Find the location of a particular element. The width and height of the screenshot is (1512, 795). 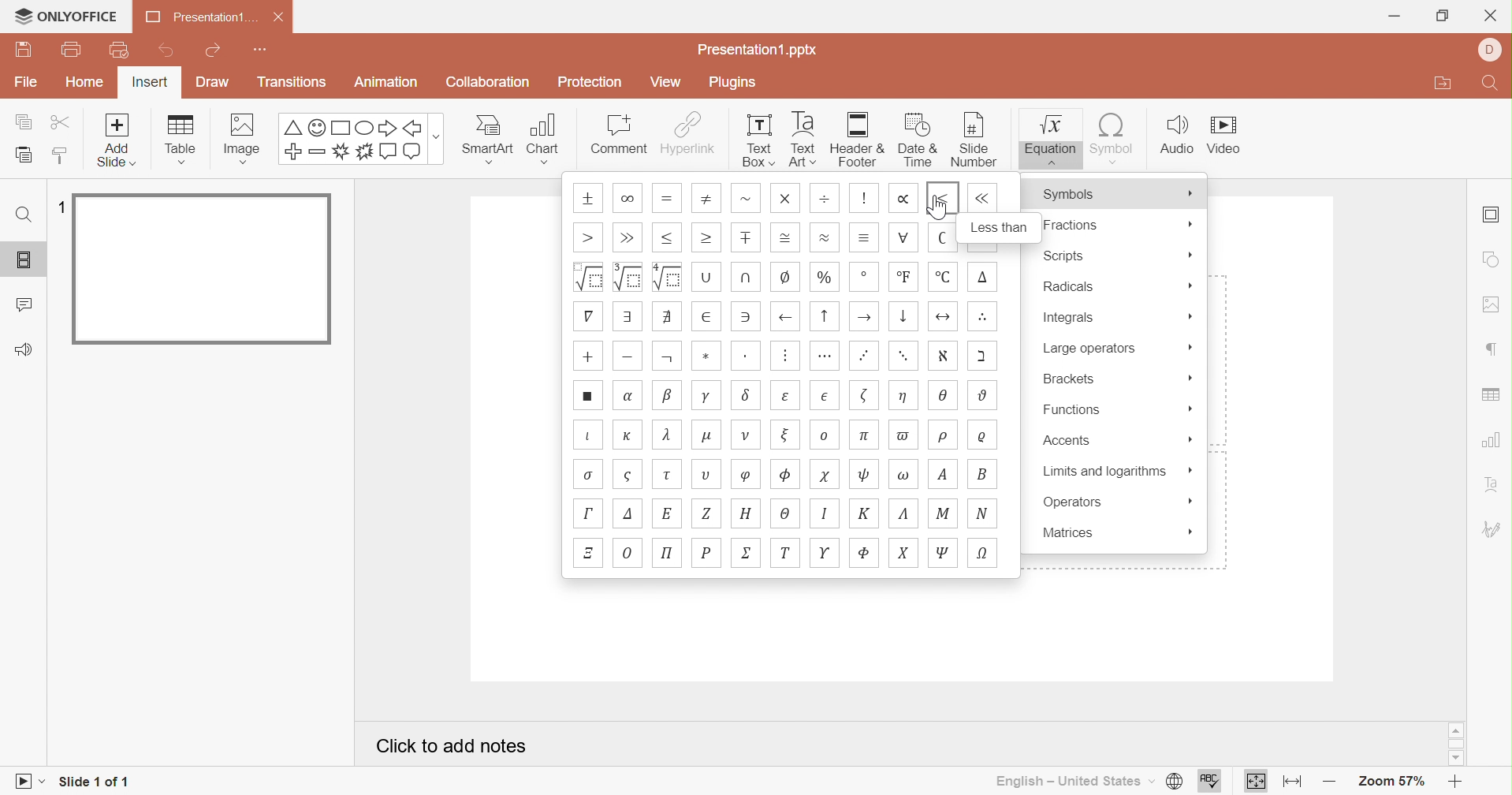

Fractions is located at coordinates (1118, 221).